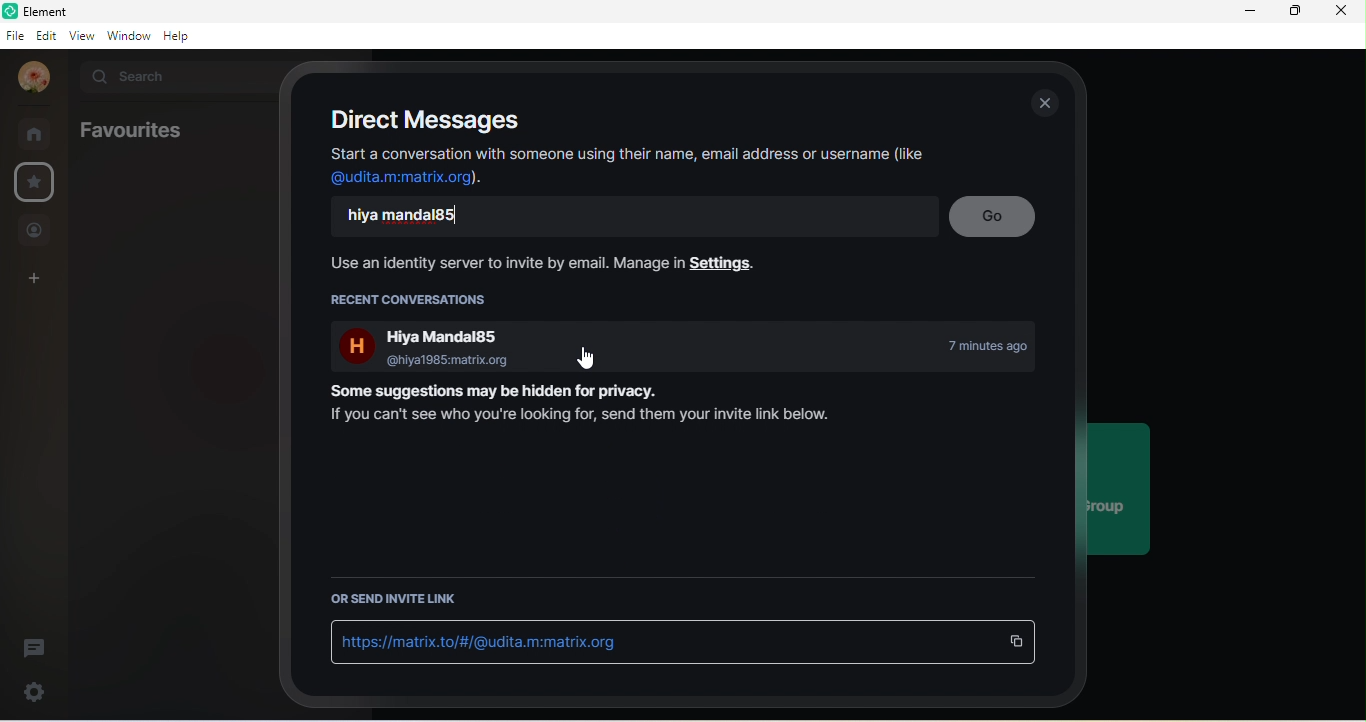  Describe the element at coordinates (628, 167) in the screenshot. I see `Start a conversation with someone using their name, email address or username (like @udita.m:matrix.org).` at that location.